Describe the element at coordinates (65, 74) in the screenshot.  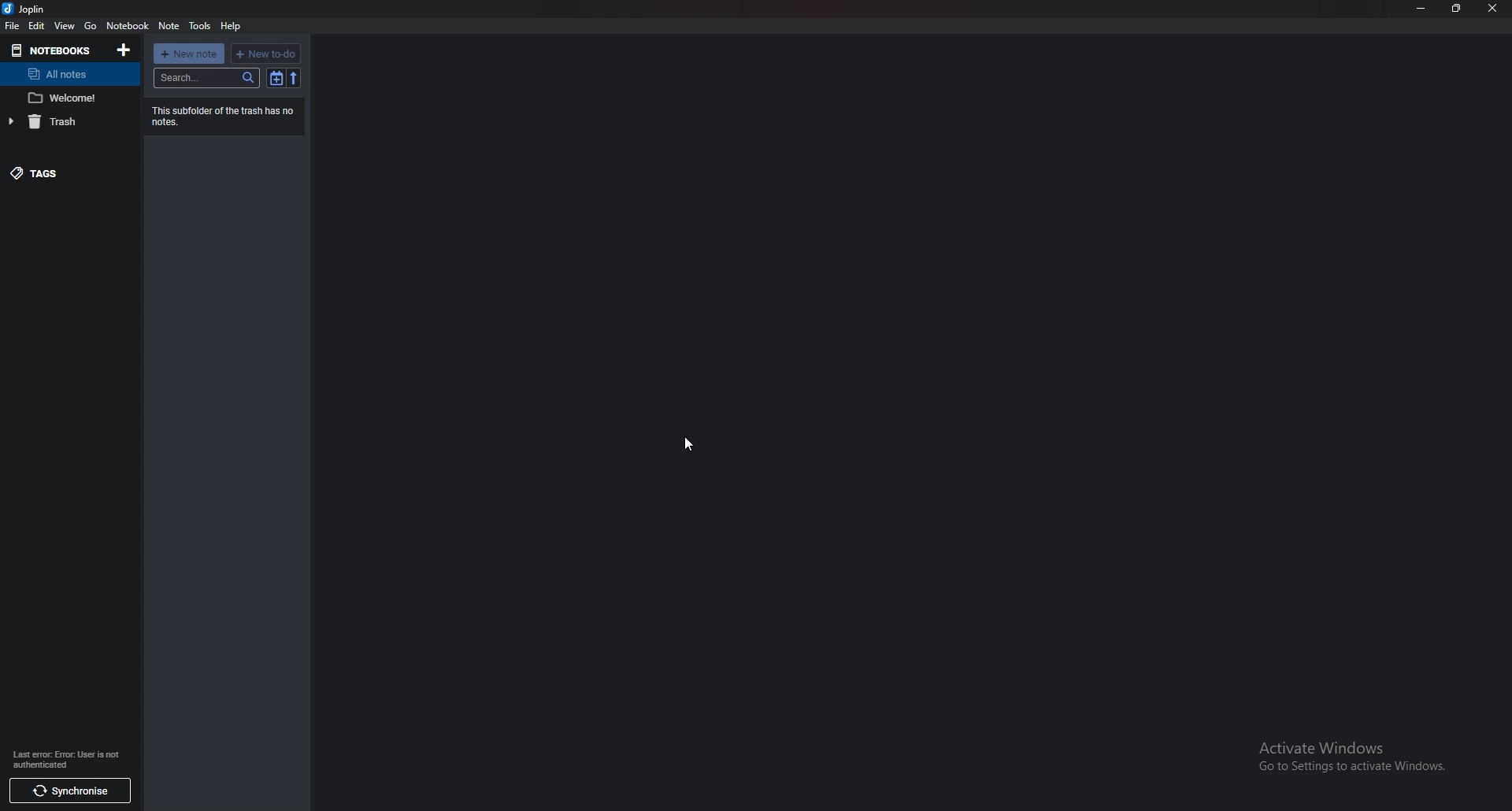
I see `all notes` at that location.